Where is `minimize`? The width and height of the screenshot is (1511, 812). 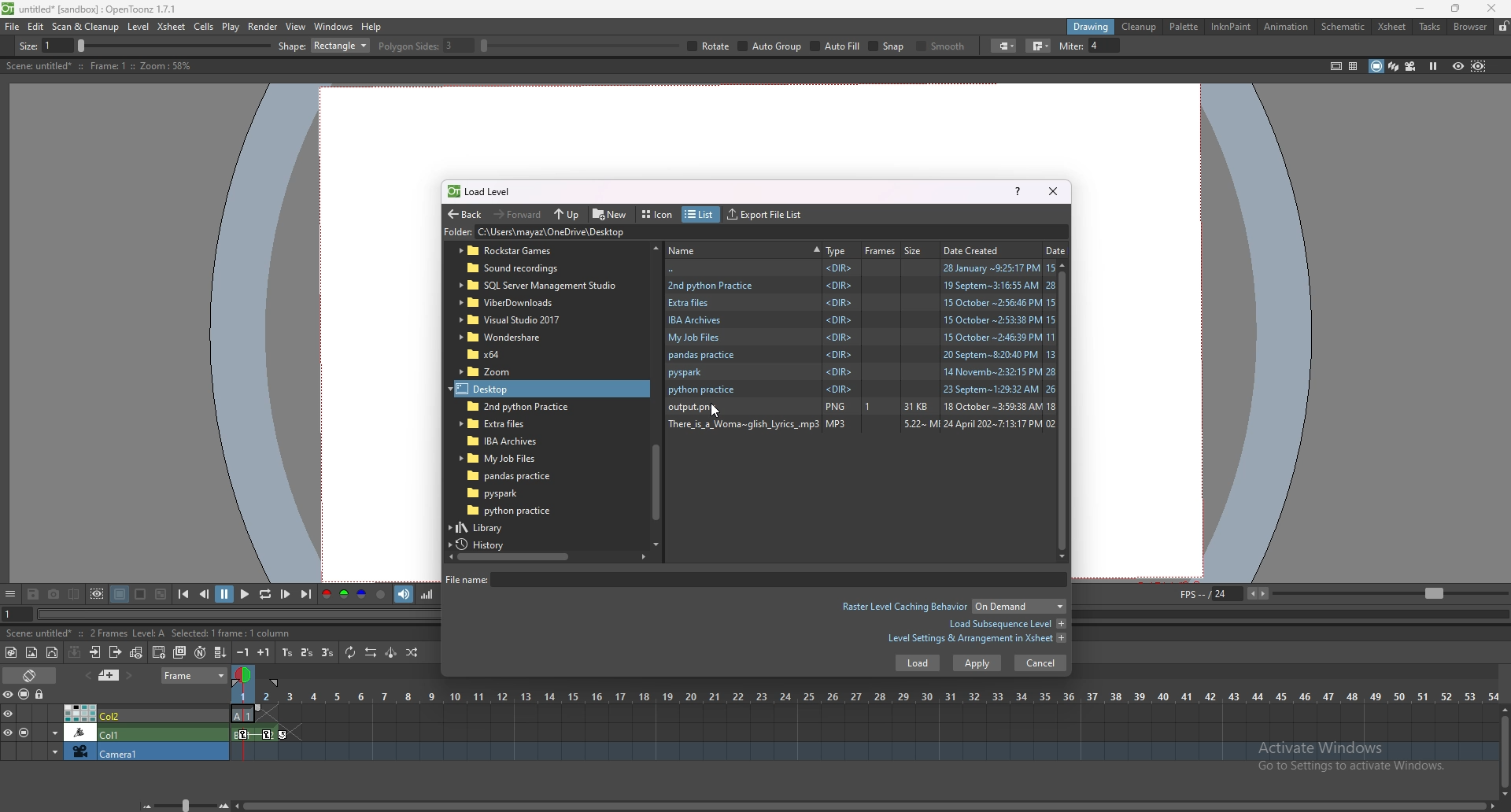 minimize is located at coordinates (1420, 9).